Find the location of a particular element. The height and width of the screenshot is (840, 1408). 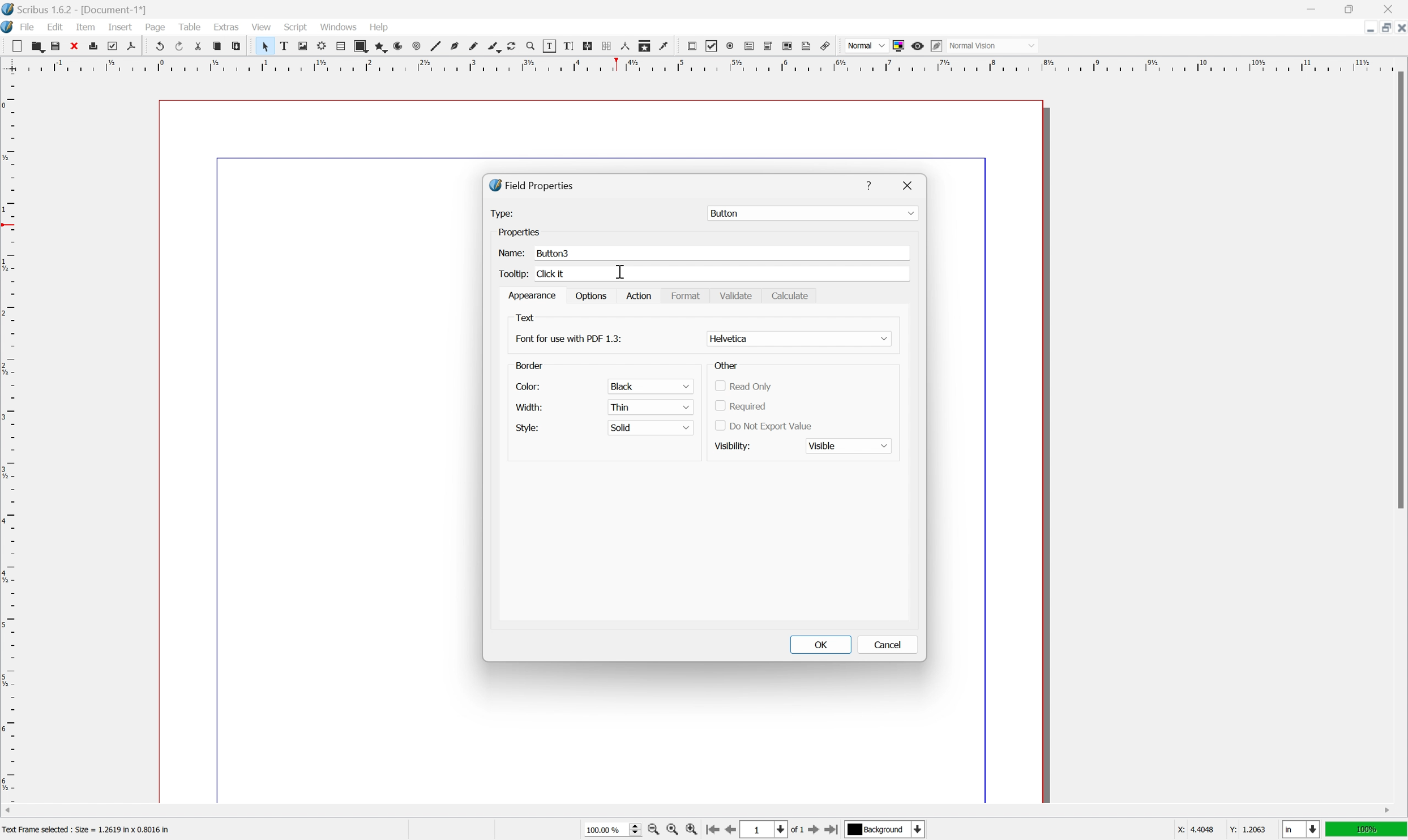

Edit in preview mode is located at coordinates (936, 46).